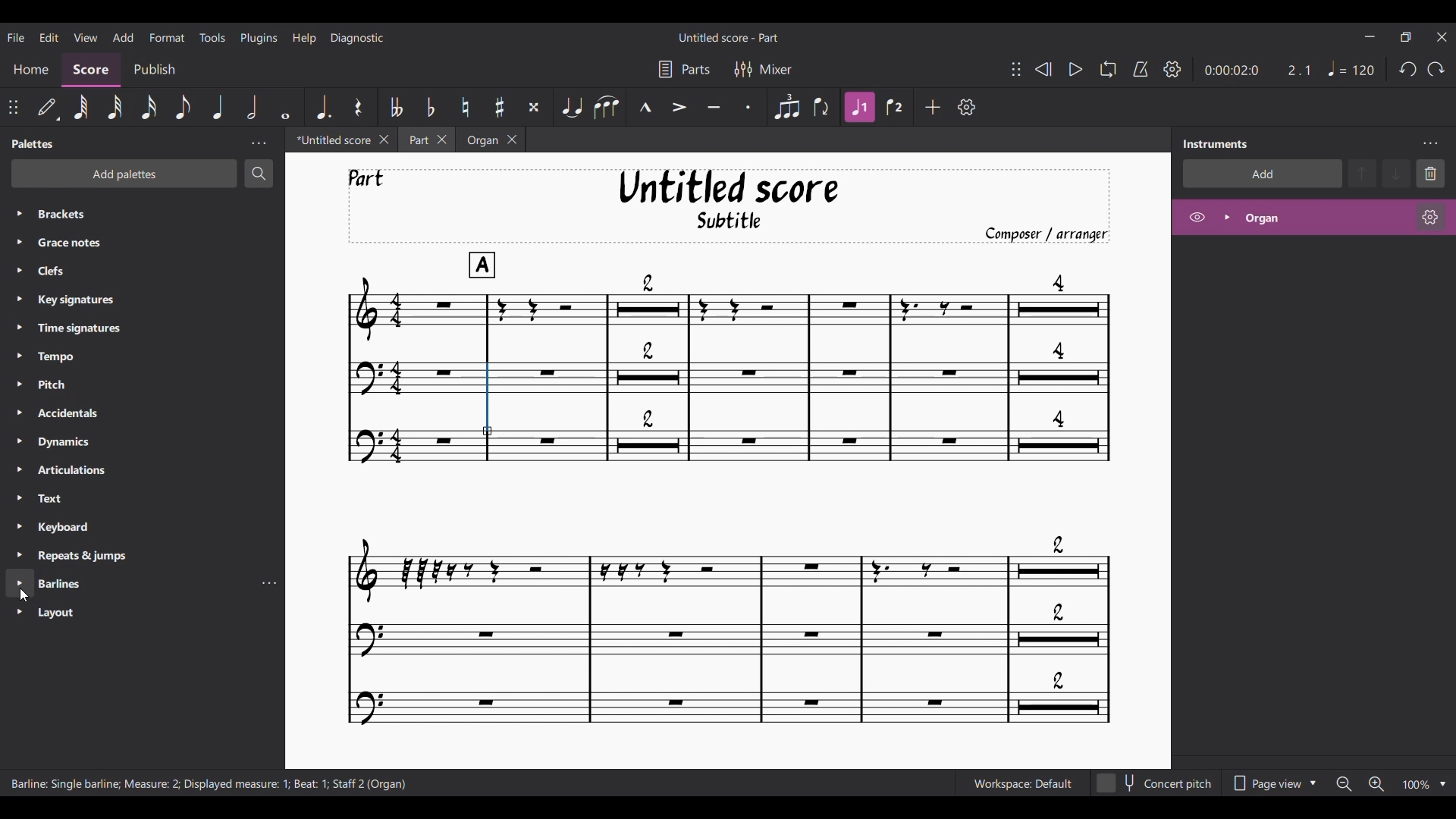 The width and height of the screenshot is (1456, 819). What do you see at coordinates (358, 107) in the screenshot?
I see `Rest` at bounding box center [358, 107].